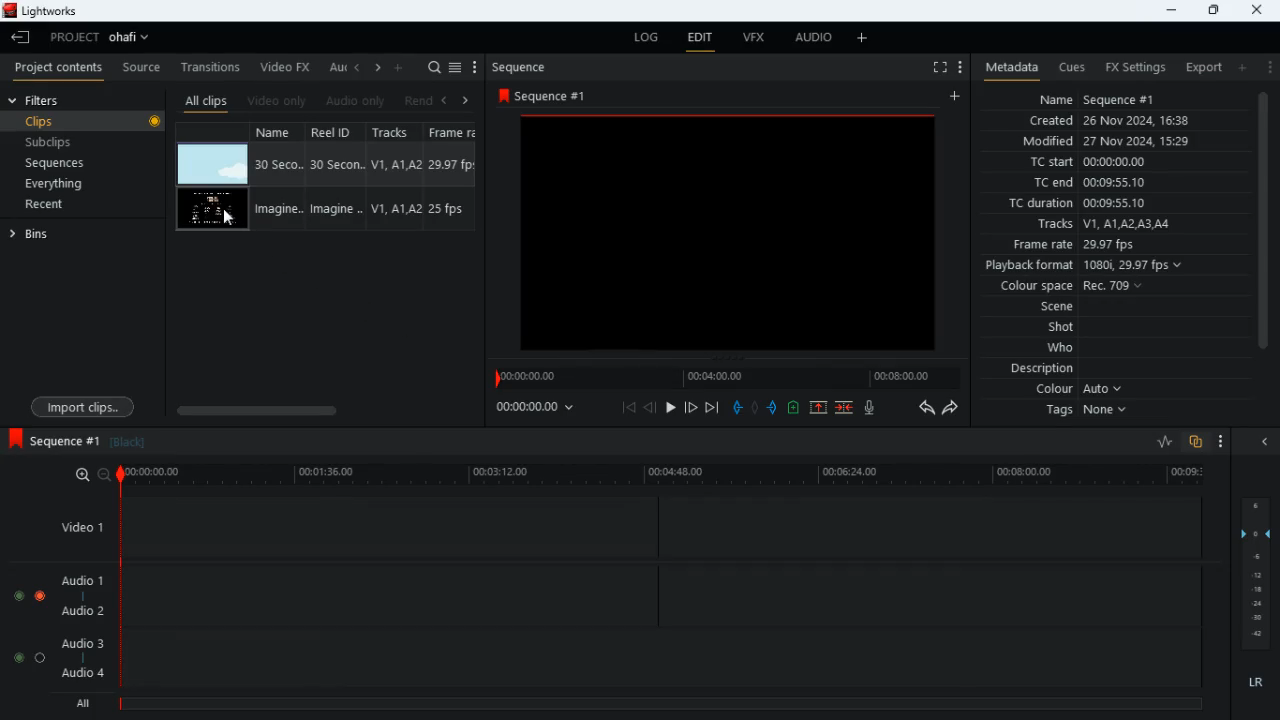  Describe the element at coordinates (59, 67) in the screenshot. I see `project contents` at that location.